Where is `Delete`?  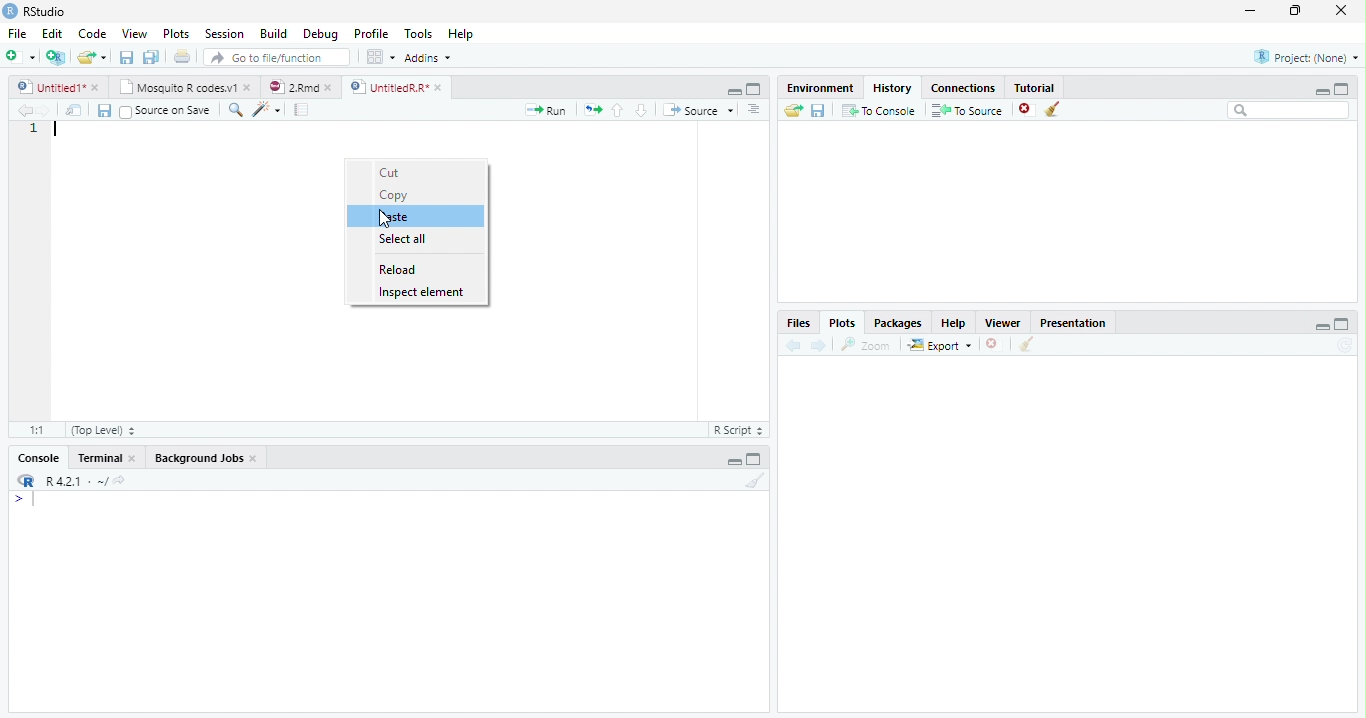 Delete is located at coordinates (1025, 107).